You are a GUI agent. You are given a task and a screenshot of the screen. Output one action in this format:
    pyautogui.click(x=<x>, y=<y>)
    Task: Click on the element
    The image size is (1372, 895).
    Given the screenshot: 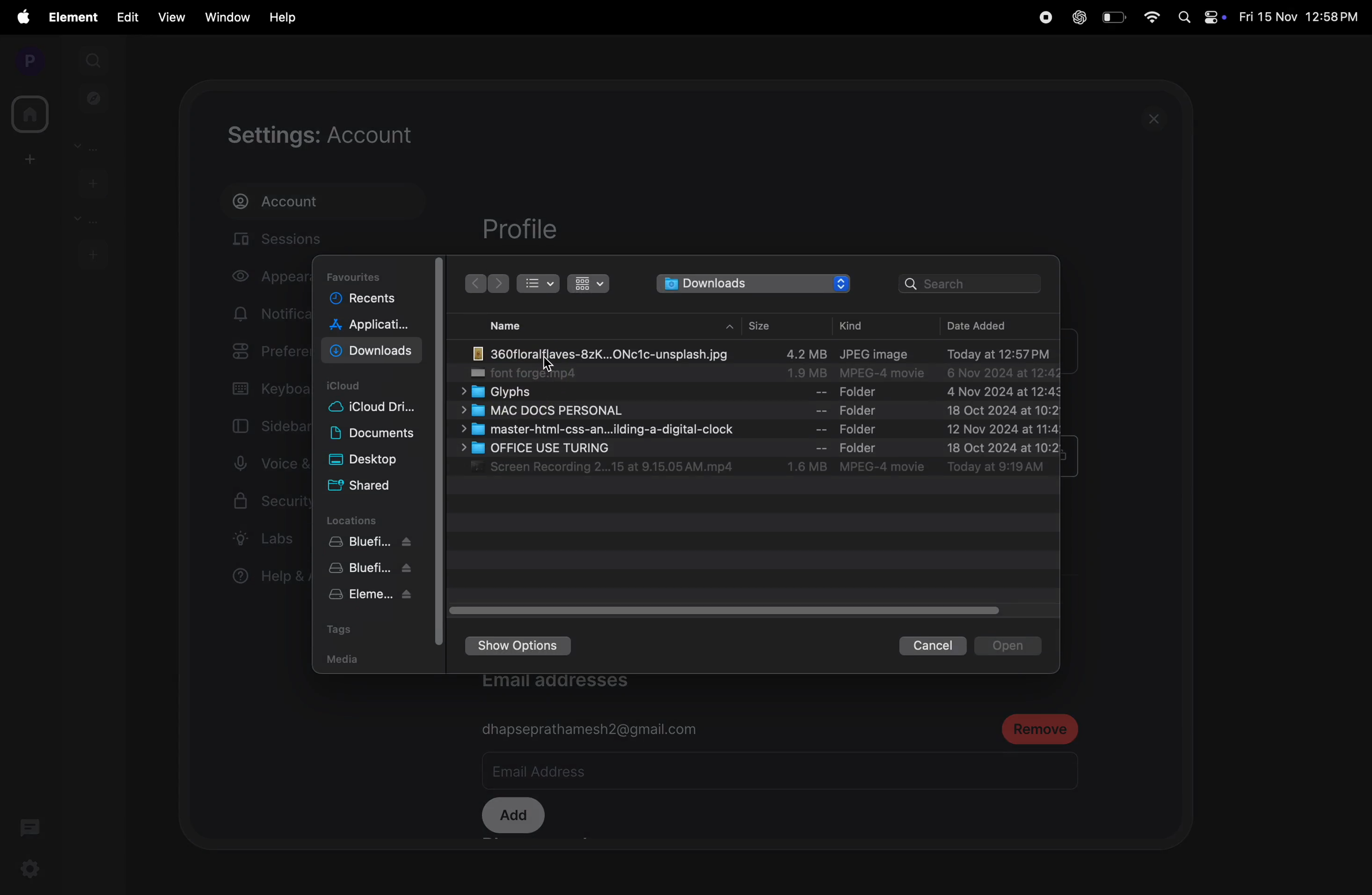 What is the action you would take?
    pyautogui.click(x=75, y=17)
    